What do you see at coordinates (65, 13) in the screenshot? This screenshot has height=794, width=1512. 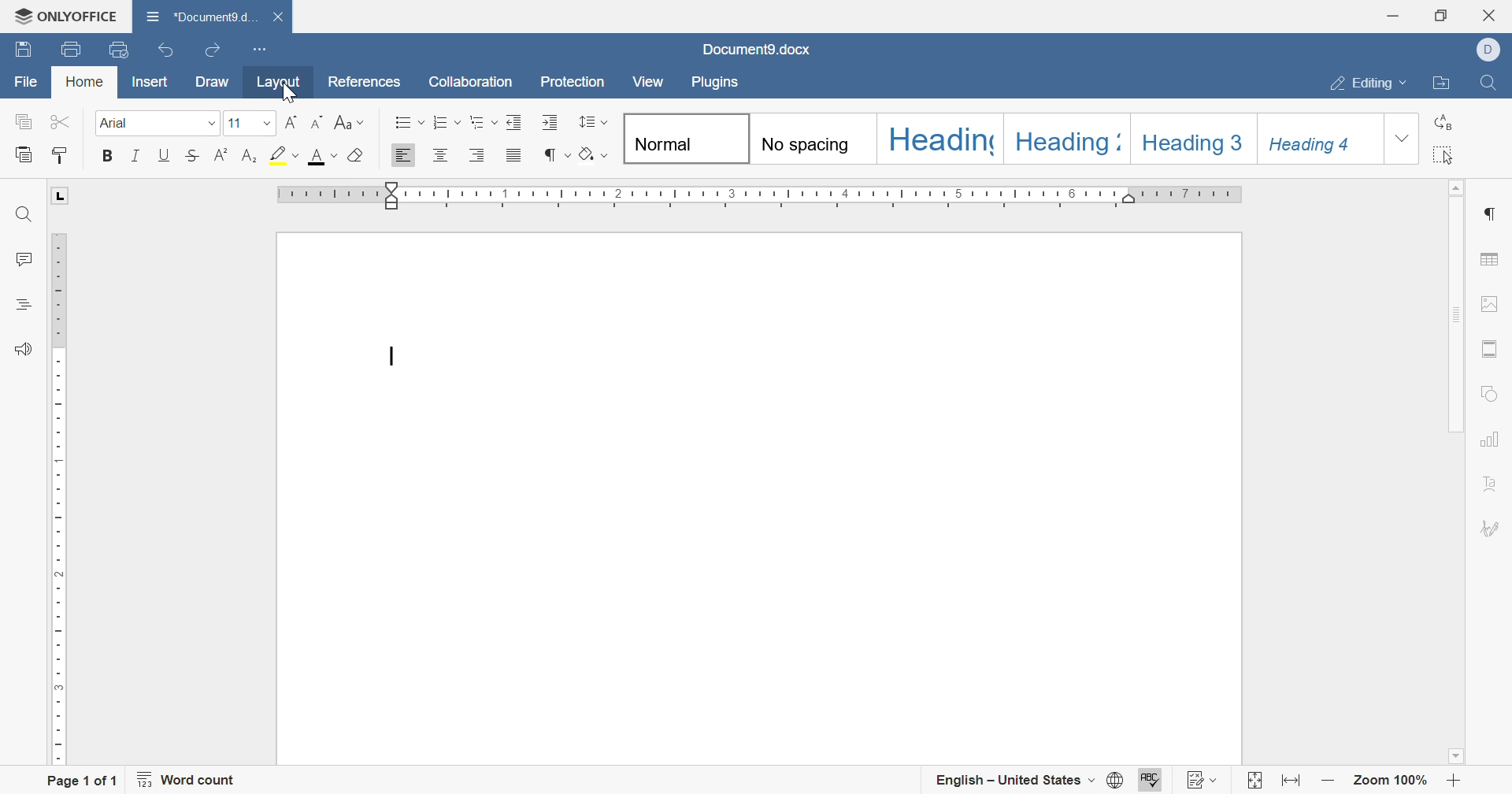 I see `ONLYOFFICE` at bounding box center [65, 13].